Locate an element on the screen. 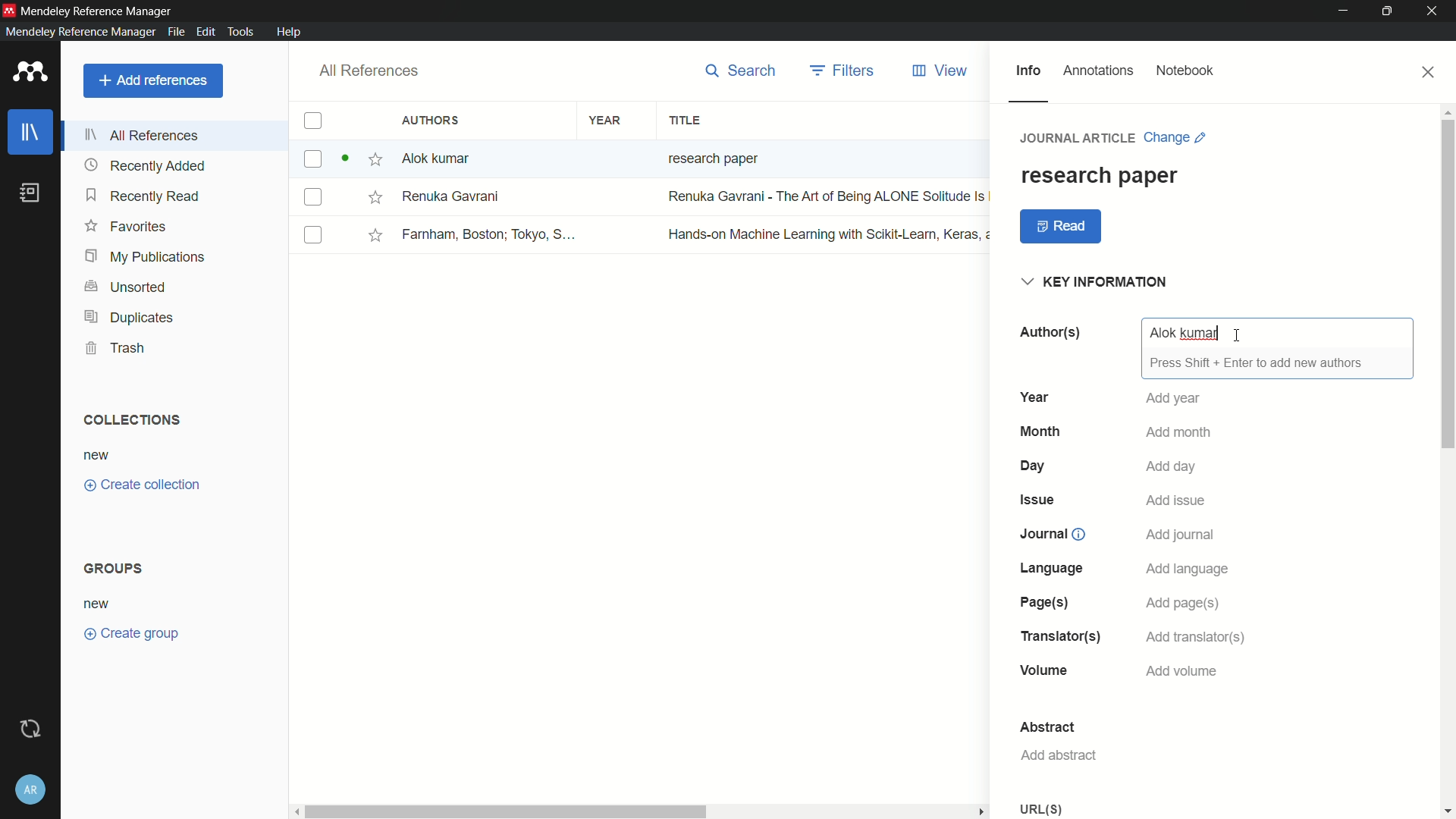 This screenshot has height=819, width=1456. book is located at coordinates (33, 193).